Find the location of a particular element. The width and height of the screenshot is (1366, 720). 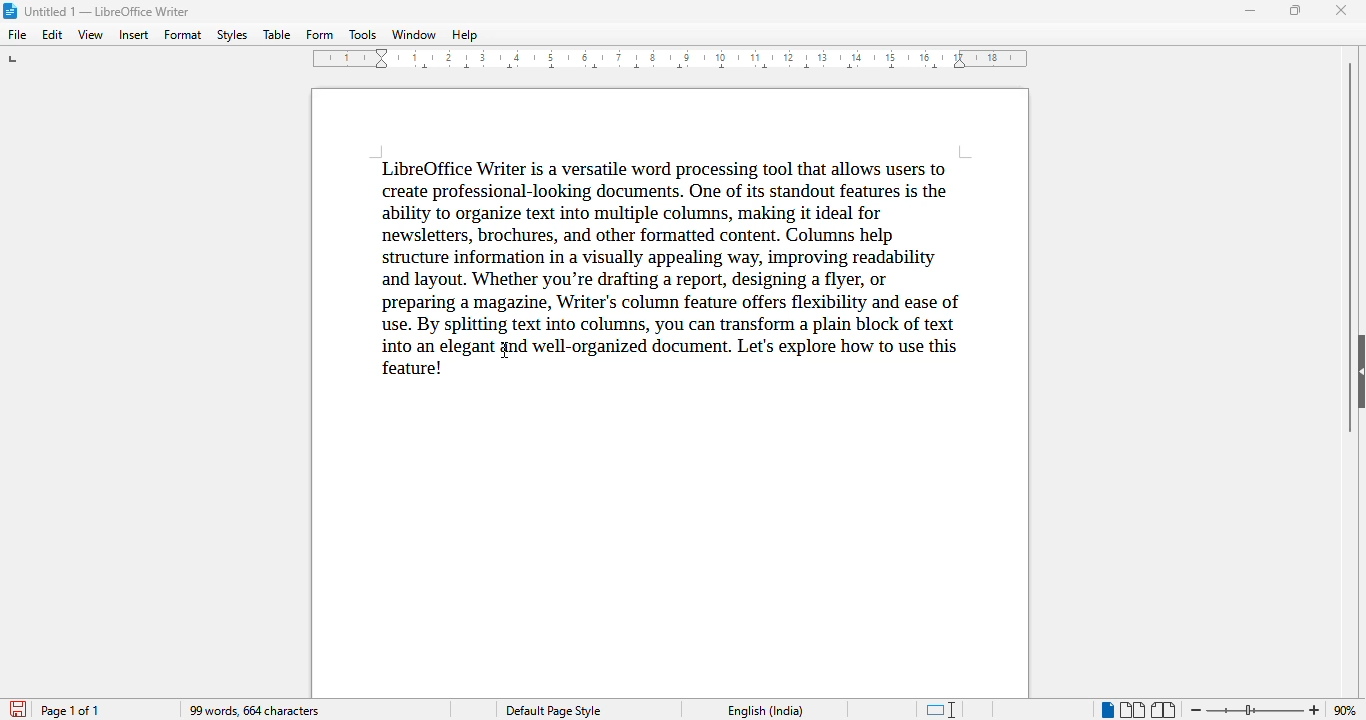

file is located at coordinates (19, 35).